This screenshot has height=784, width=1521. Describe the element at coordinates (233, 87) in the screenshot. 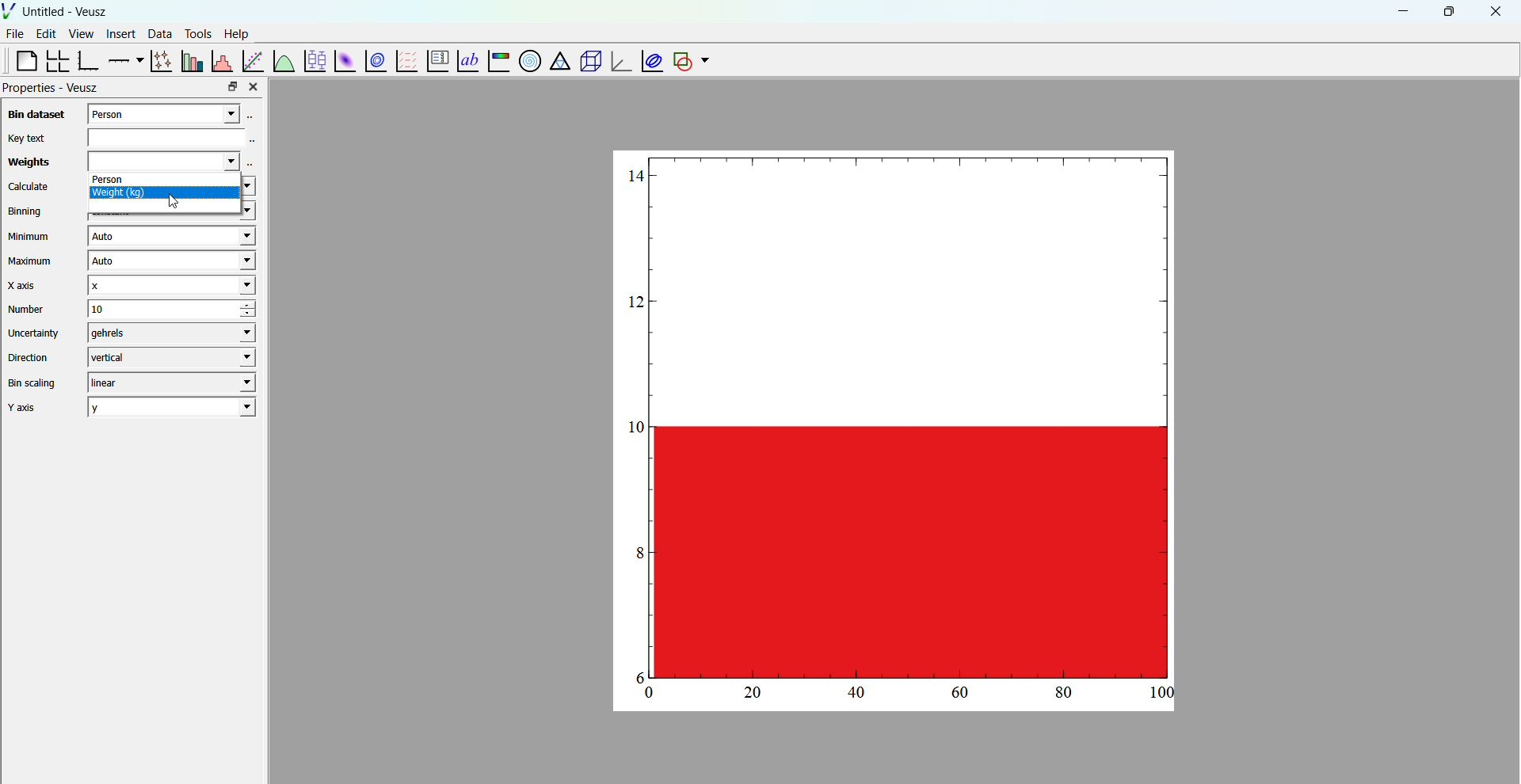

I see `maximize property bar` at that location.